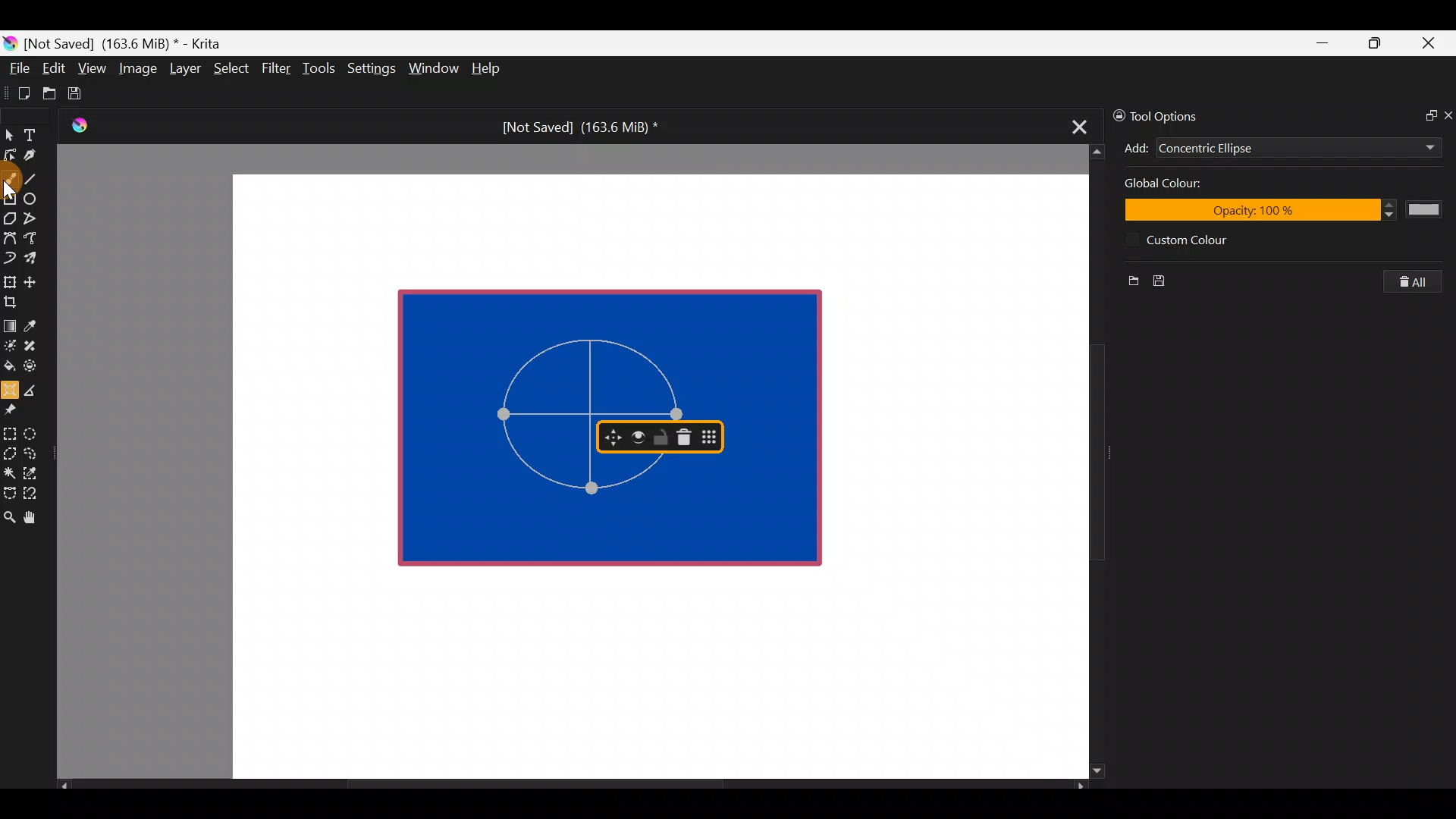 The width and height of the screenshot is (1456, 819). I want to click on File, so click(15, 71).